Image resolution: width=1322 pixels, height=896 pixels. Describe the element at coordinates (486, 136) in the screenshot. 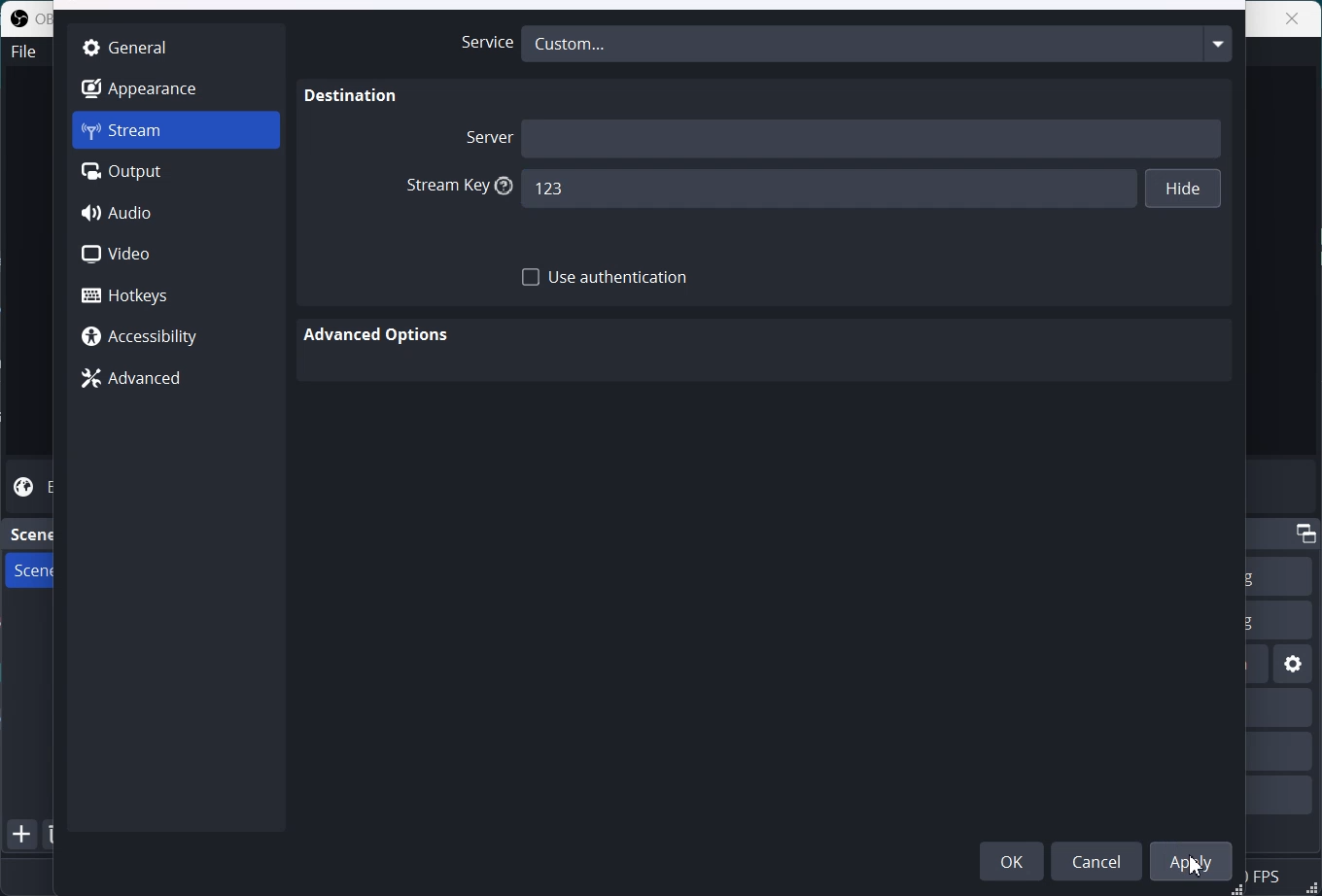

I see `Server` at that location.